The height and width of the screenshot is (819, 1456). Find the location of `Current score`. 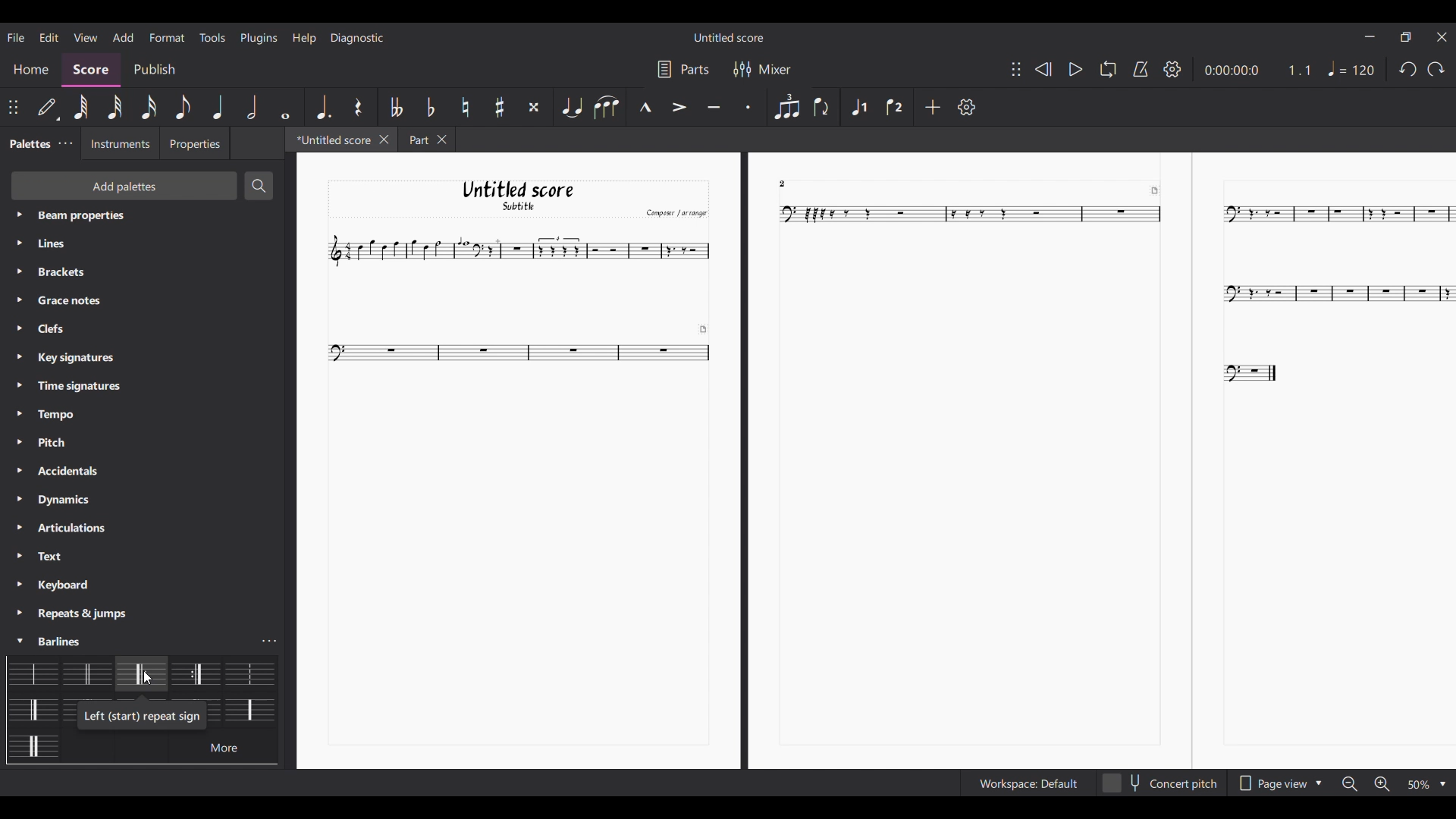

Current score is located at coordinates (877, 461).